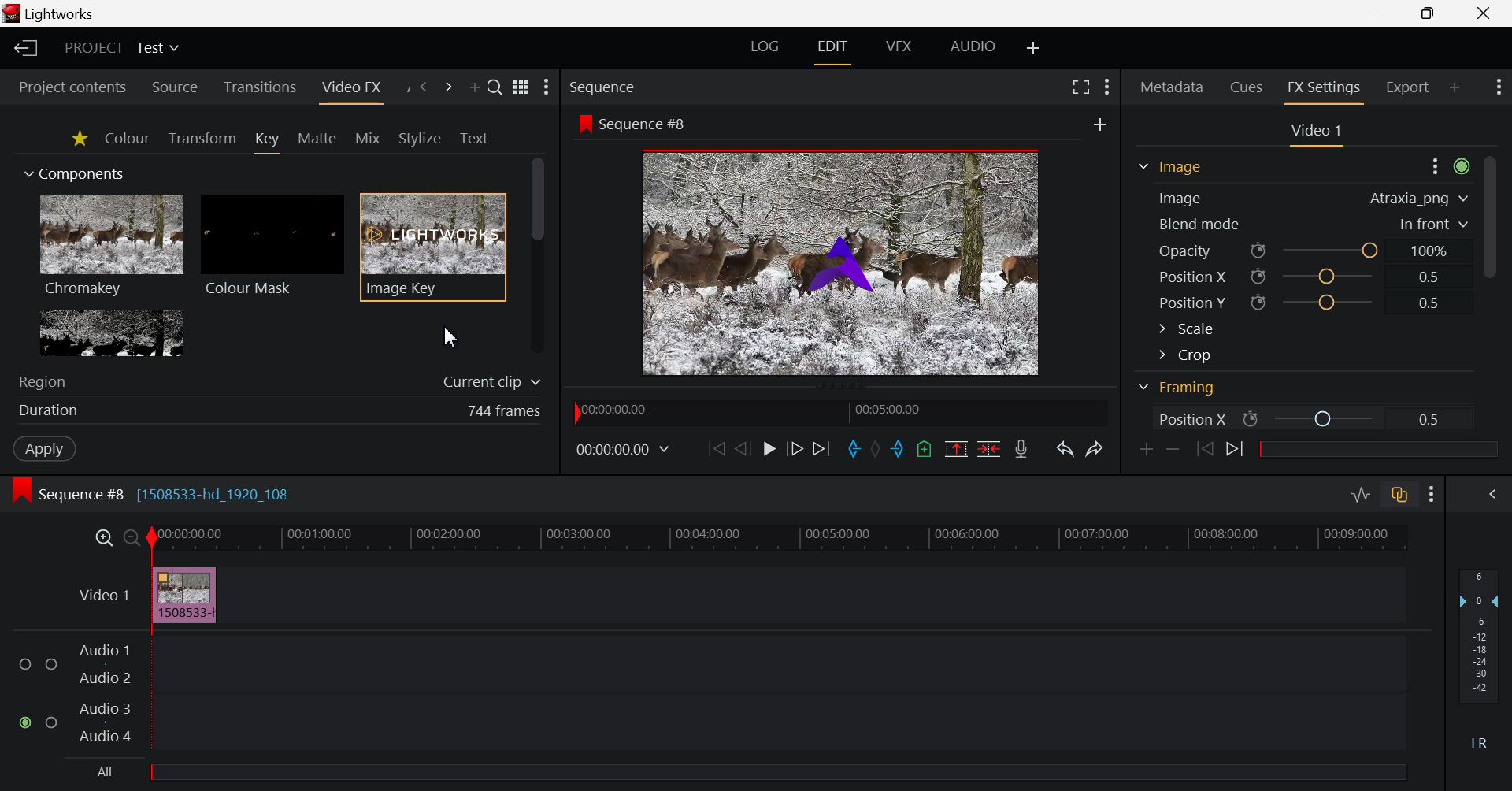 This screenshot has height=791, width=1512. I want to click on Search, so click(495, 87).